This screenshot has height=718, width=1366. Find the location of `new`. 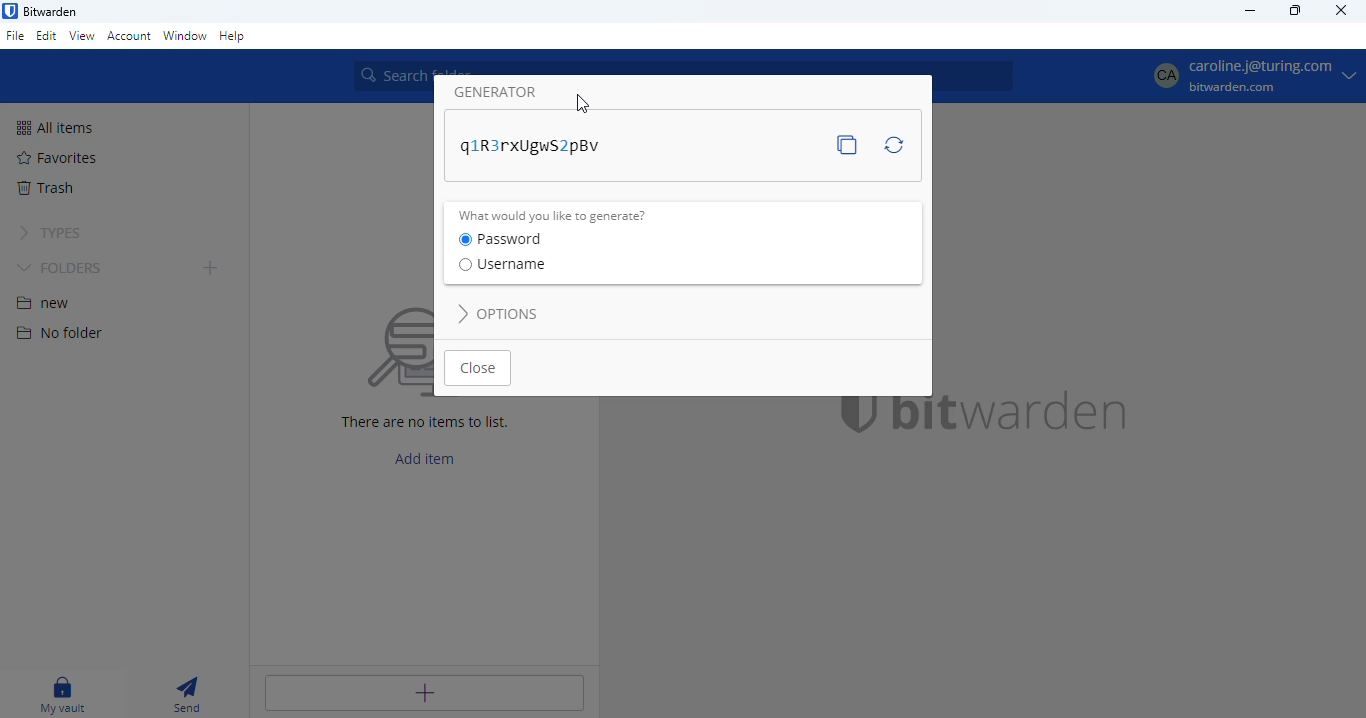

new is located at coordinates (44, 303).